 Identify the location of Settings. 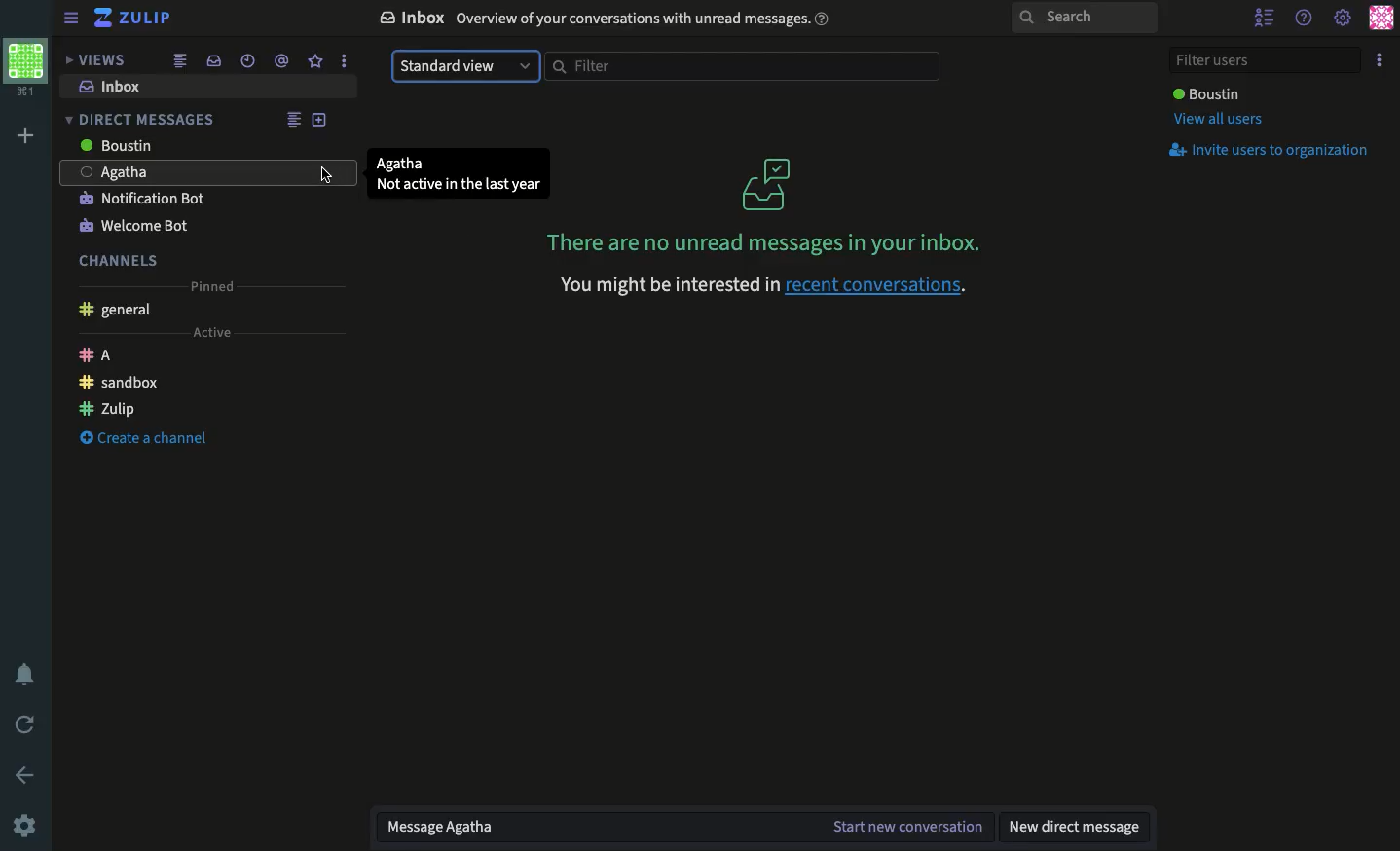
(24, 828).